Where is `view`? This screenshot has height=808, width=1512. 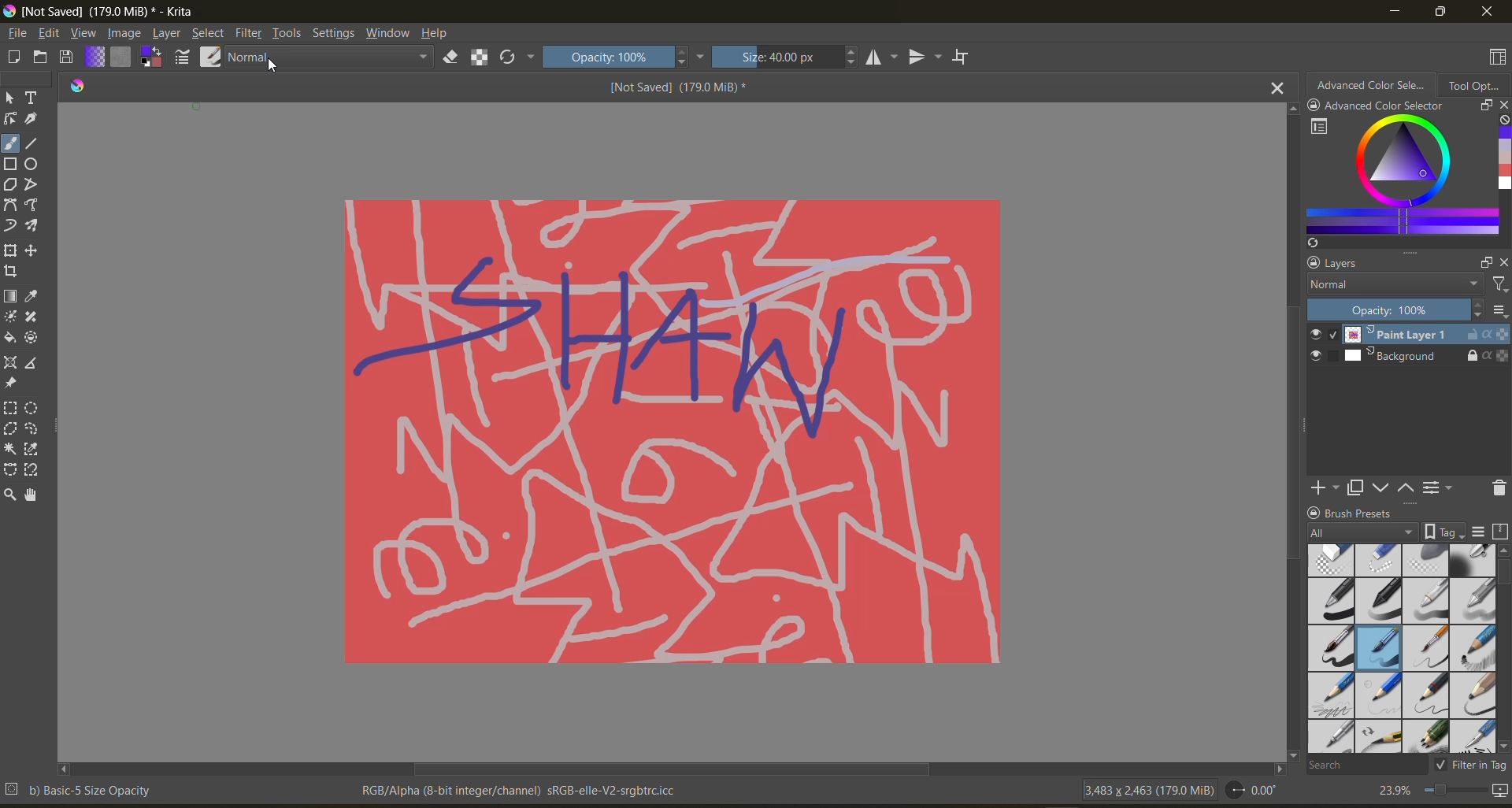 view is located at coordinates (85, 33).